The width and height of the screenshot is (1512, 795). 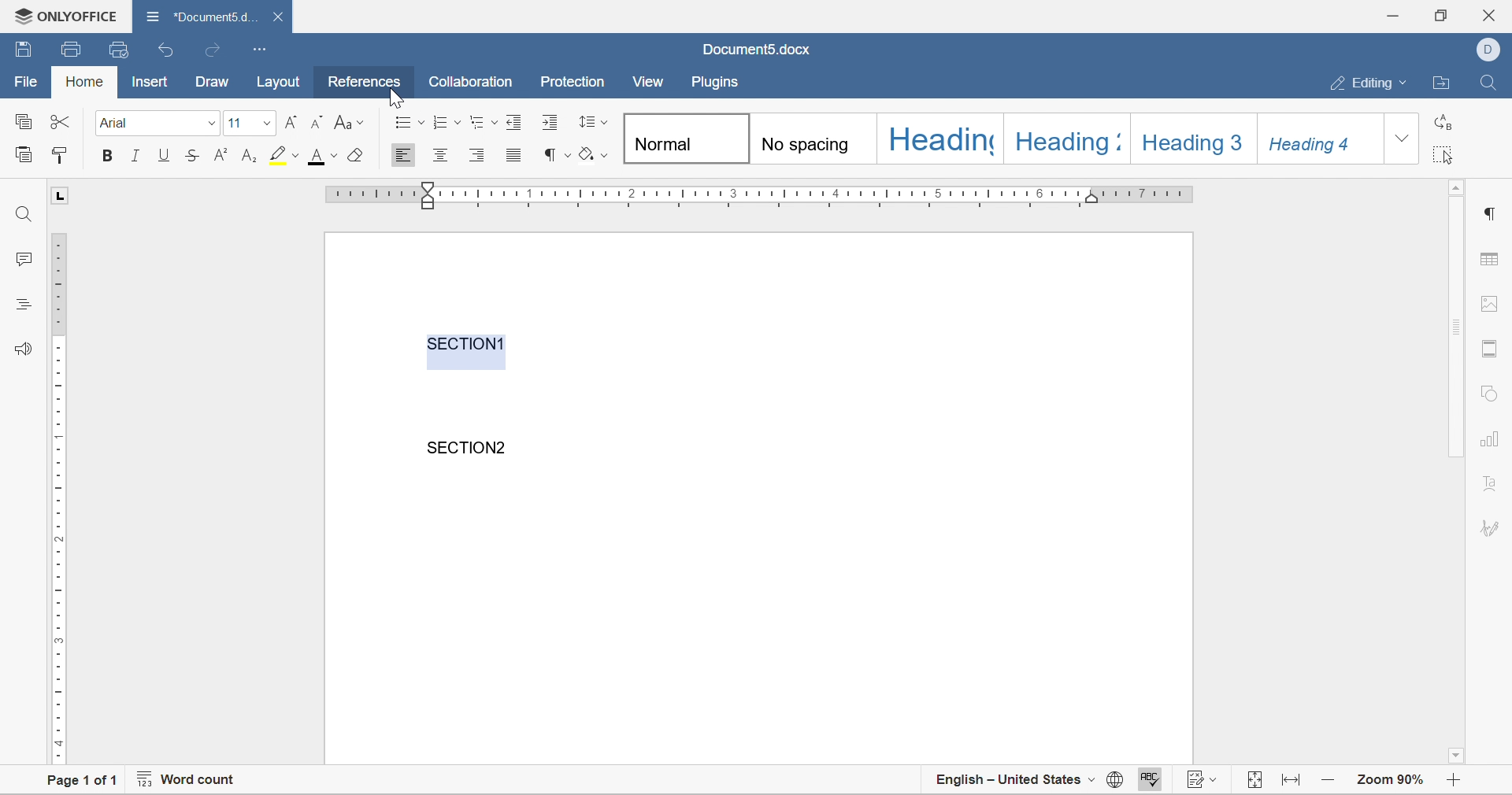 What do you see at coordinates (236, 124) in the screenshot?
I see `font size` at bounding box center [236, 124].